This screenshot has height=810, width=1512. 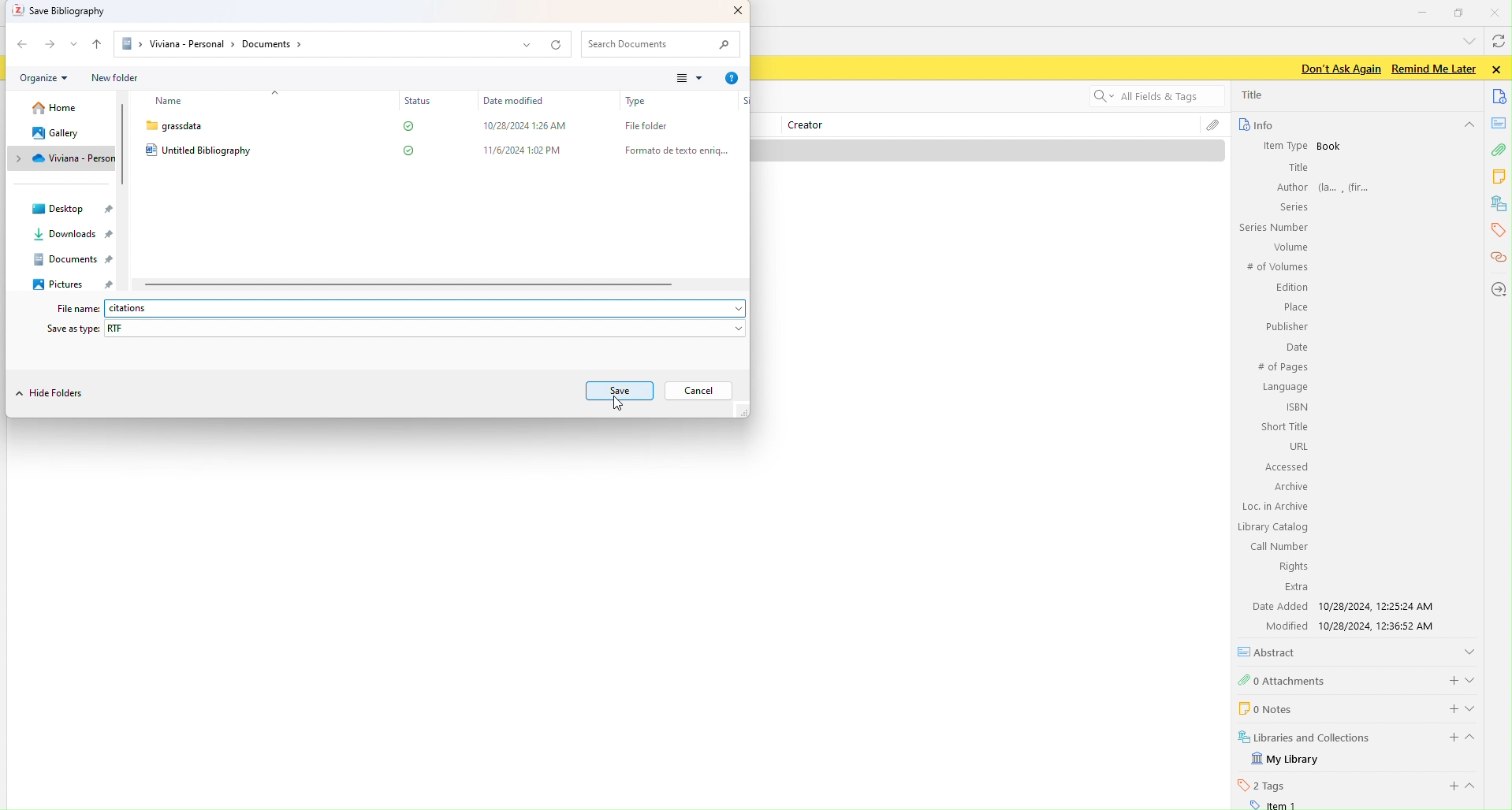 I want to click on show, so click(x=1473, y=678).